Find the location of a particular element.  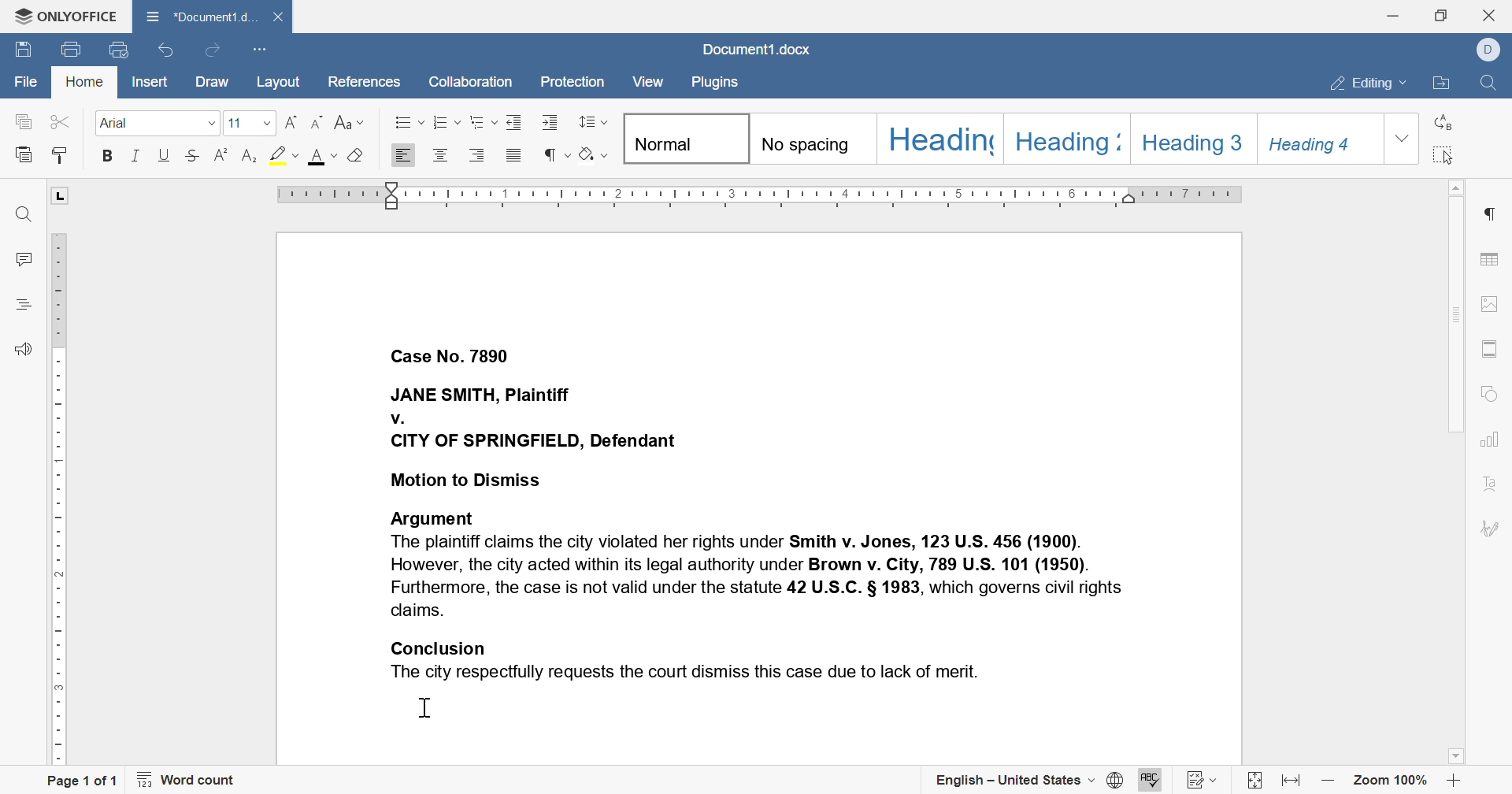

strikethrough is located at coordinates (193, 155).